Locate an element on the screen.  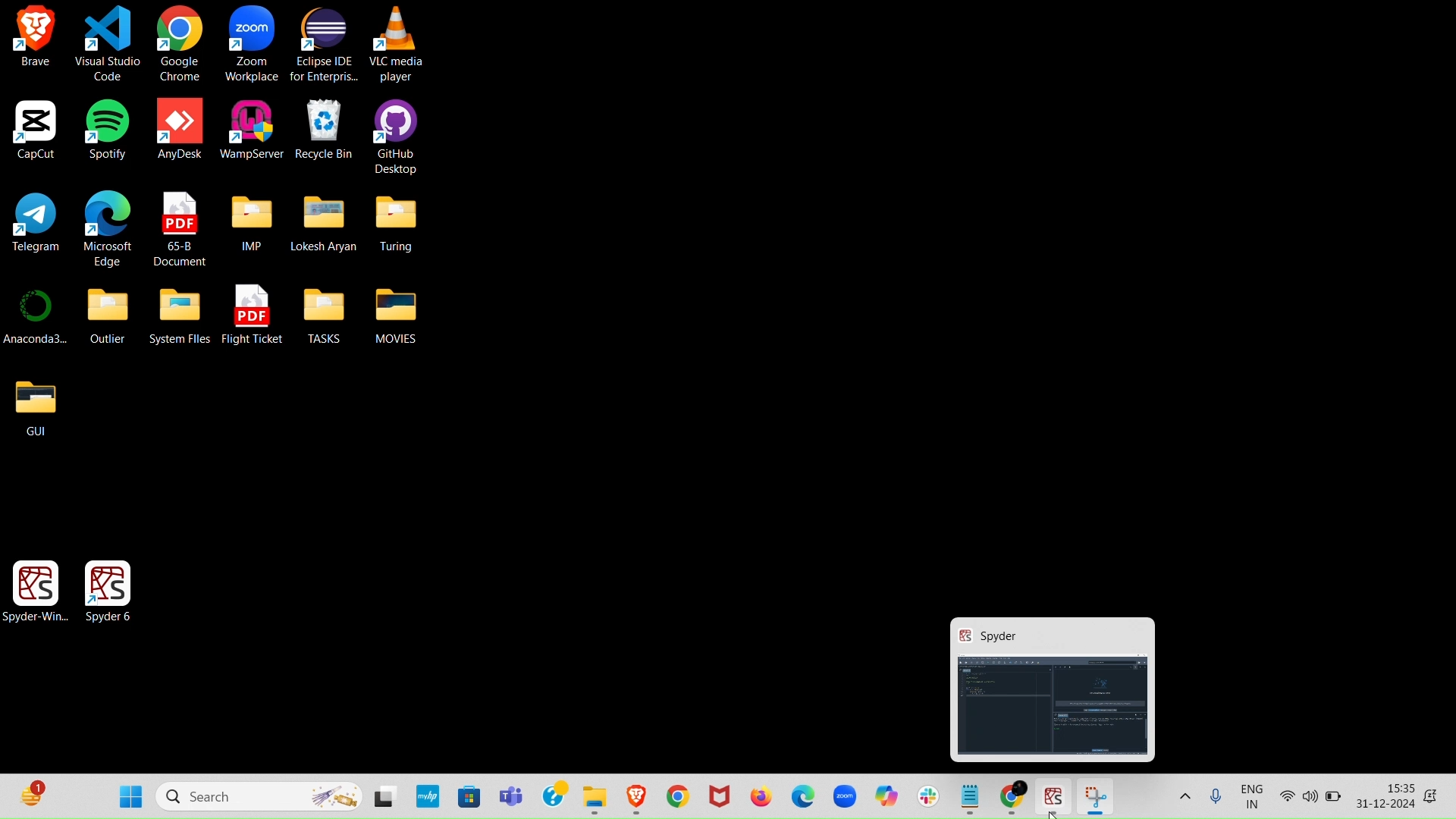
Capcut is located at coordinates (34, 129).